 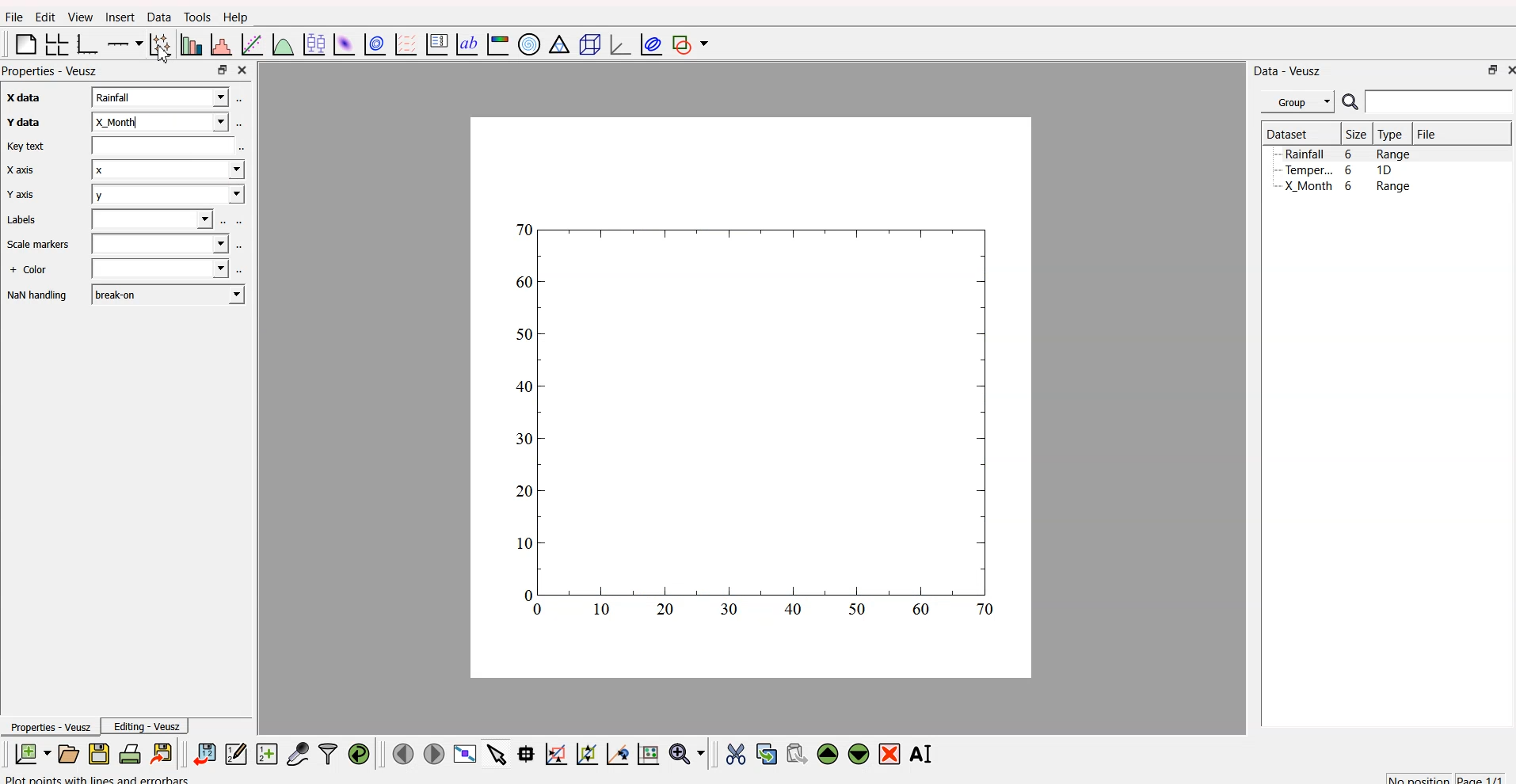 I want to click on capture a dataset, so click(x=297, y=751).